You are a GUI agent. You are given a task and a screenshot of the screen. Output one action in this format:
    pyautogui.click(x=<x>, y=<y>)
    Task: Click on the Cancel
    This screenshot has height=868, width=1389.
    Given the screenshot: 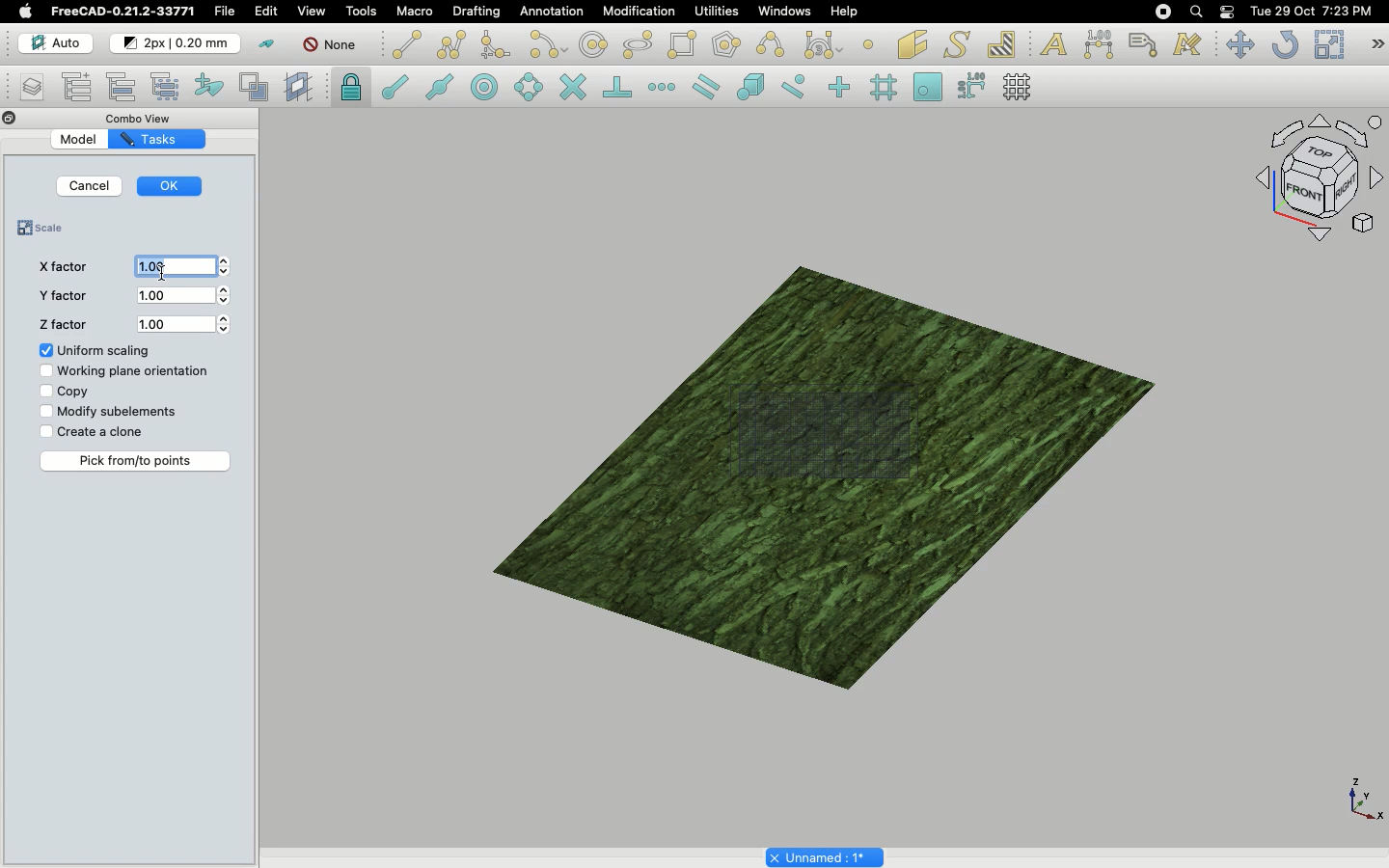 What is the action you would take?
    pyautogui.click(x=91, y=186)
    